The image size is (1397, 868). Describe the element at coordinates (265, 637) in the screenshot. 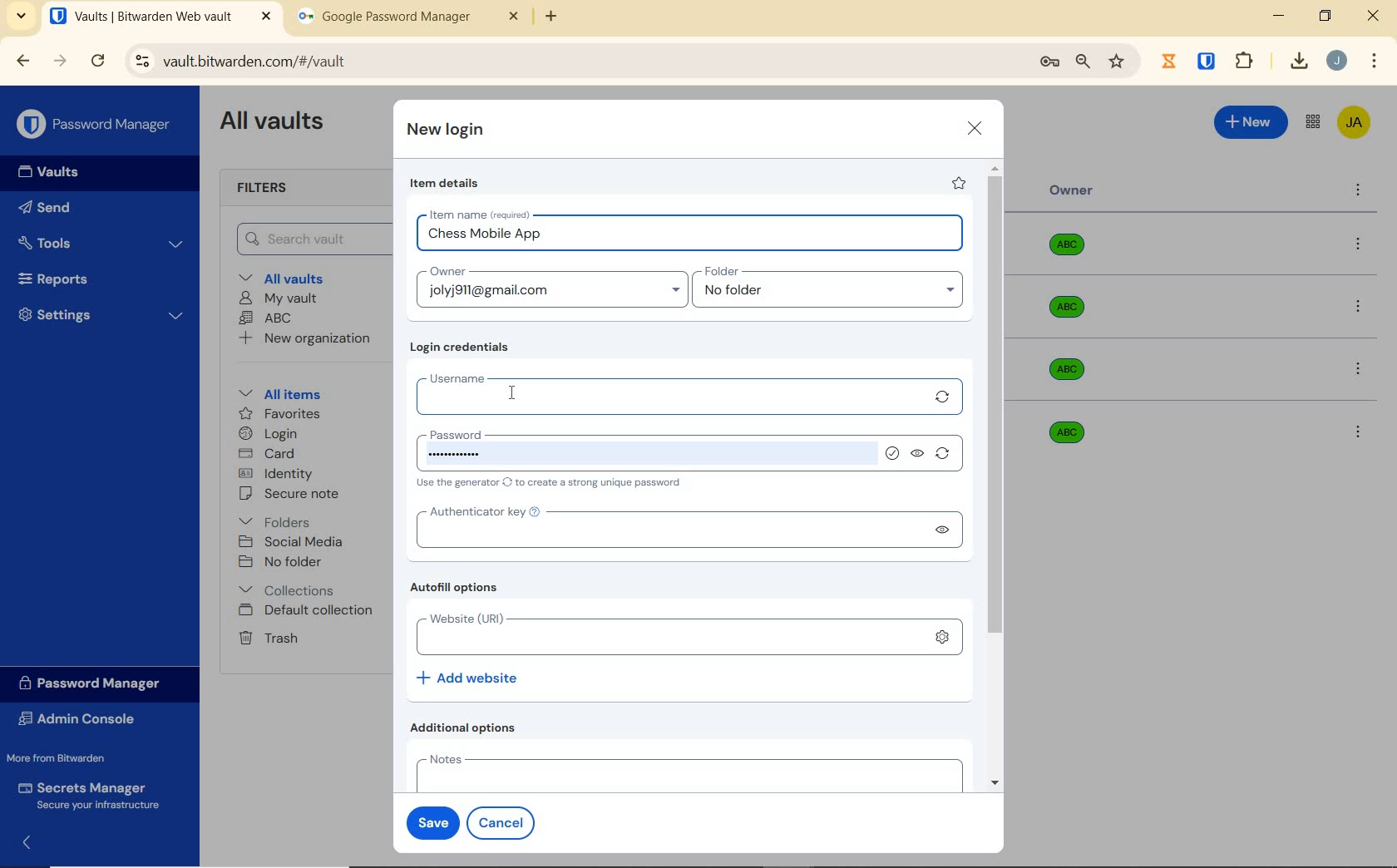

I see `Trash` at that location.